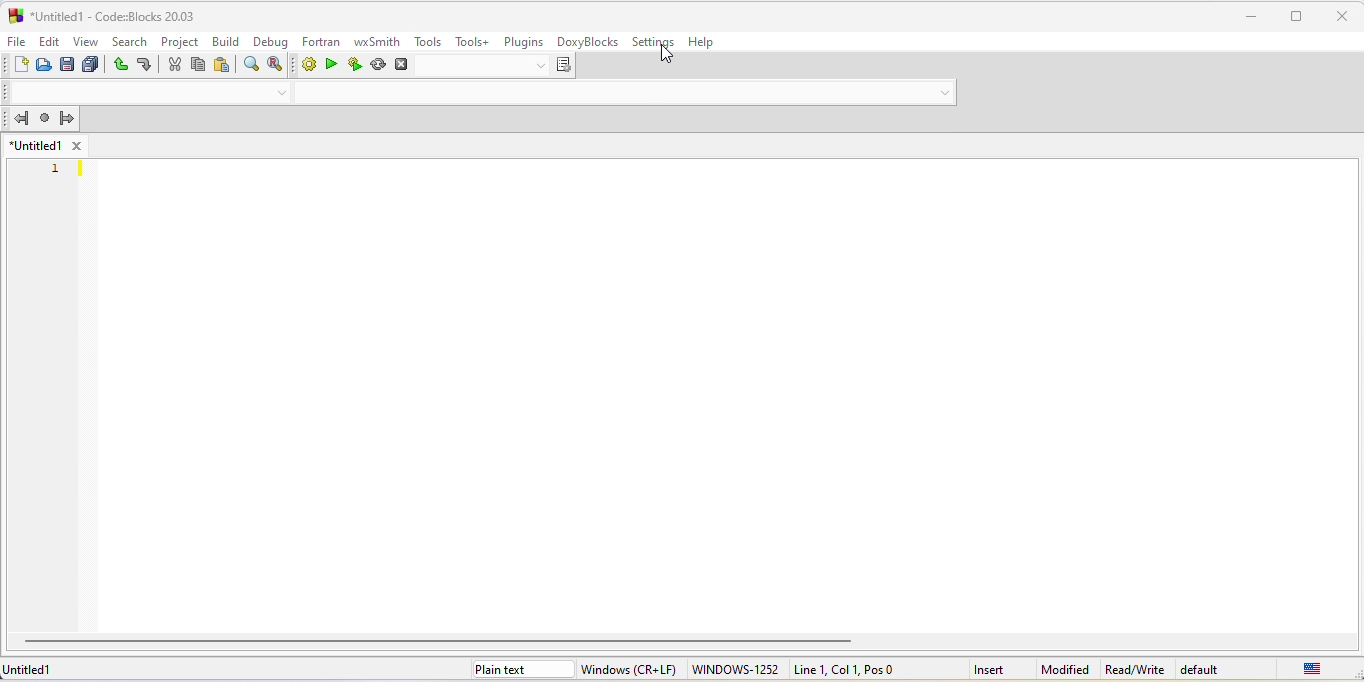  What do you see at coordinates (252, 63) in the screenshot?
I see `find` at bounding box center [252, 63].